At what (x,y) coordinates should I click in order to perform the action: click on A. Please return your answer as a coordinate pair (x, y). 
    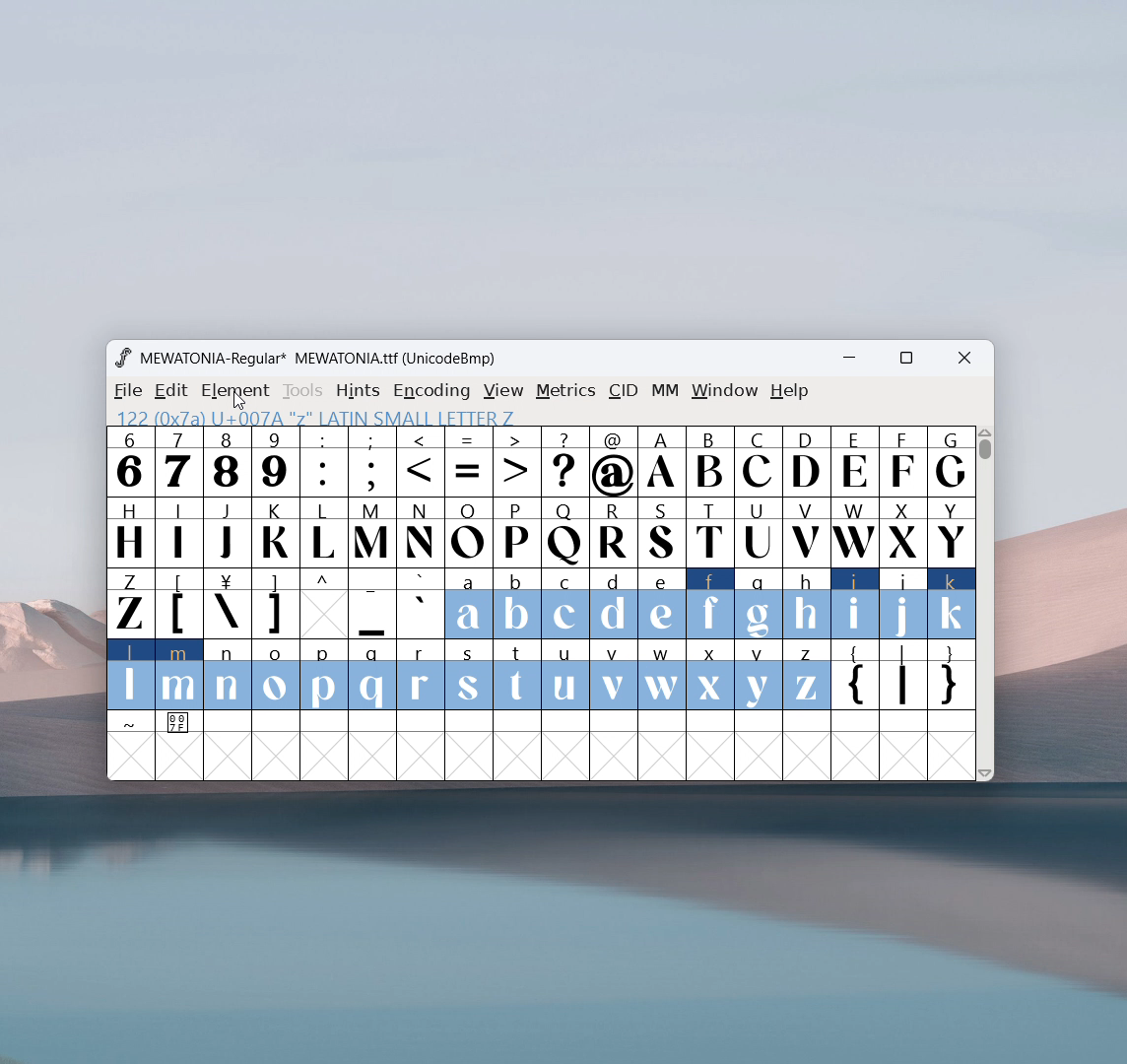
    Looking at the image, I should click on (663, 462).